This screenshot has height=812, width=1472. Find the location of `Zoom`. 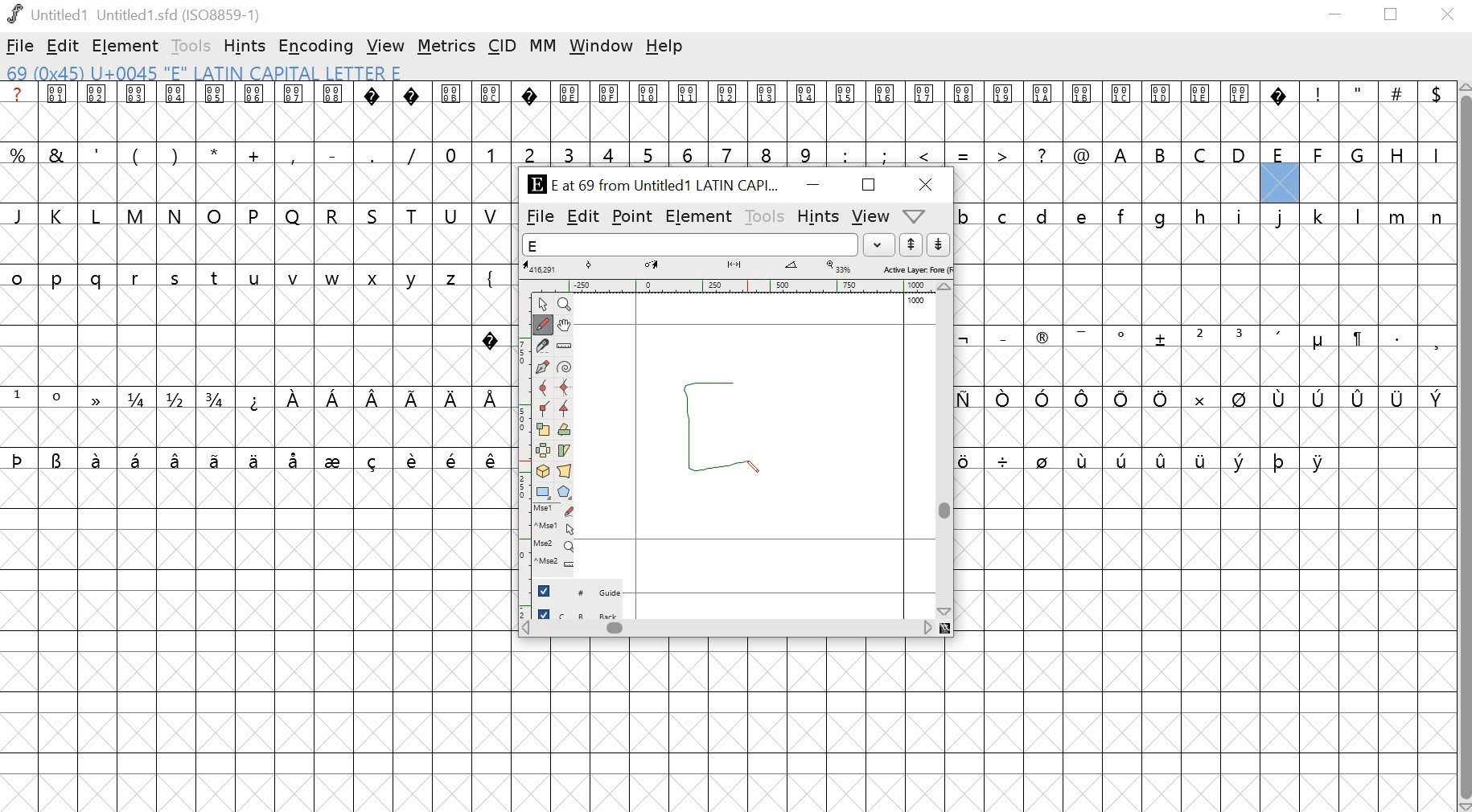

Zoom is located at coordinates (564, 305).